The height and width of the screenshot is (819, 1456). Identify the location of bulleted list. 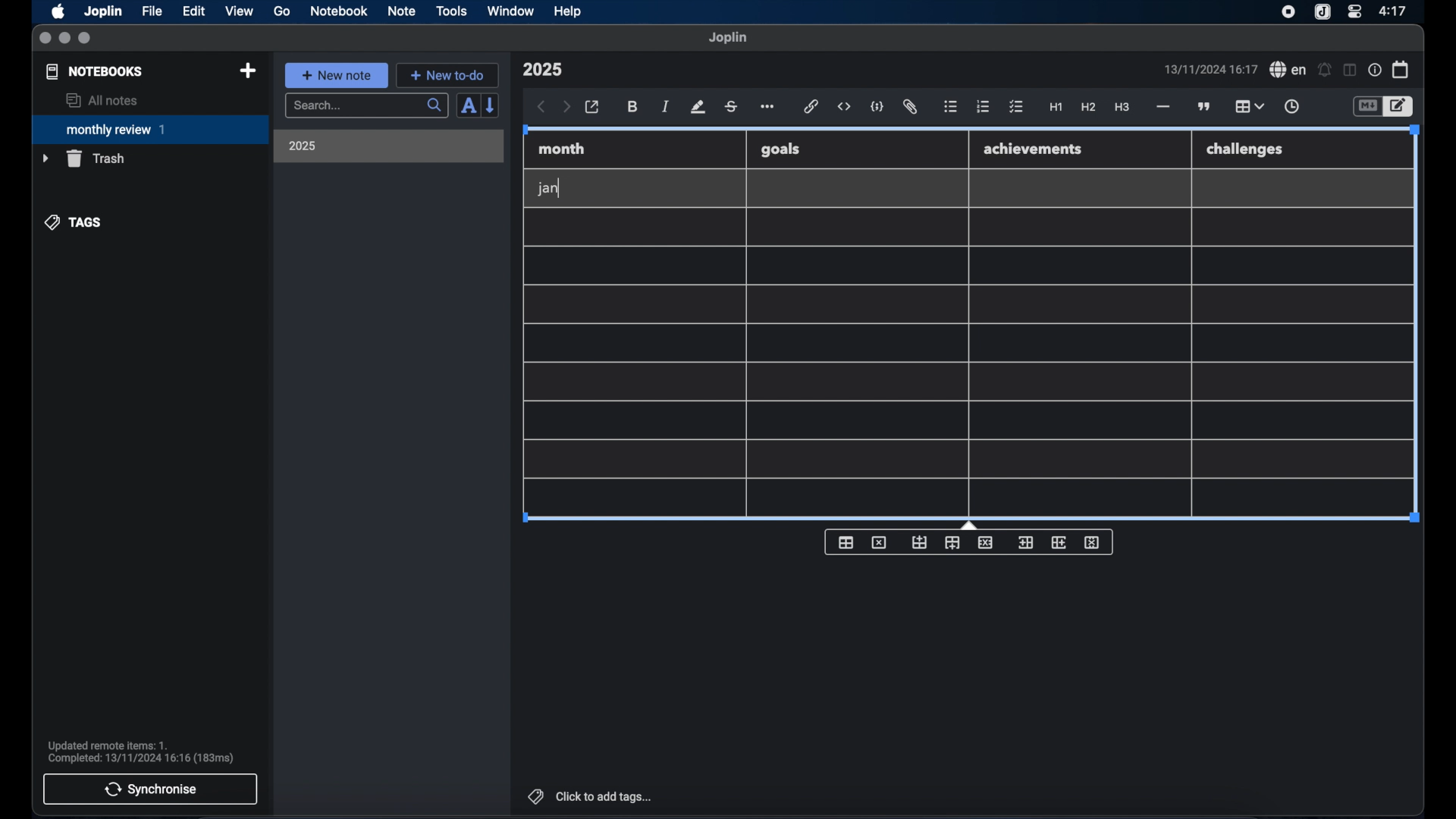
(950, 107).